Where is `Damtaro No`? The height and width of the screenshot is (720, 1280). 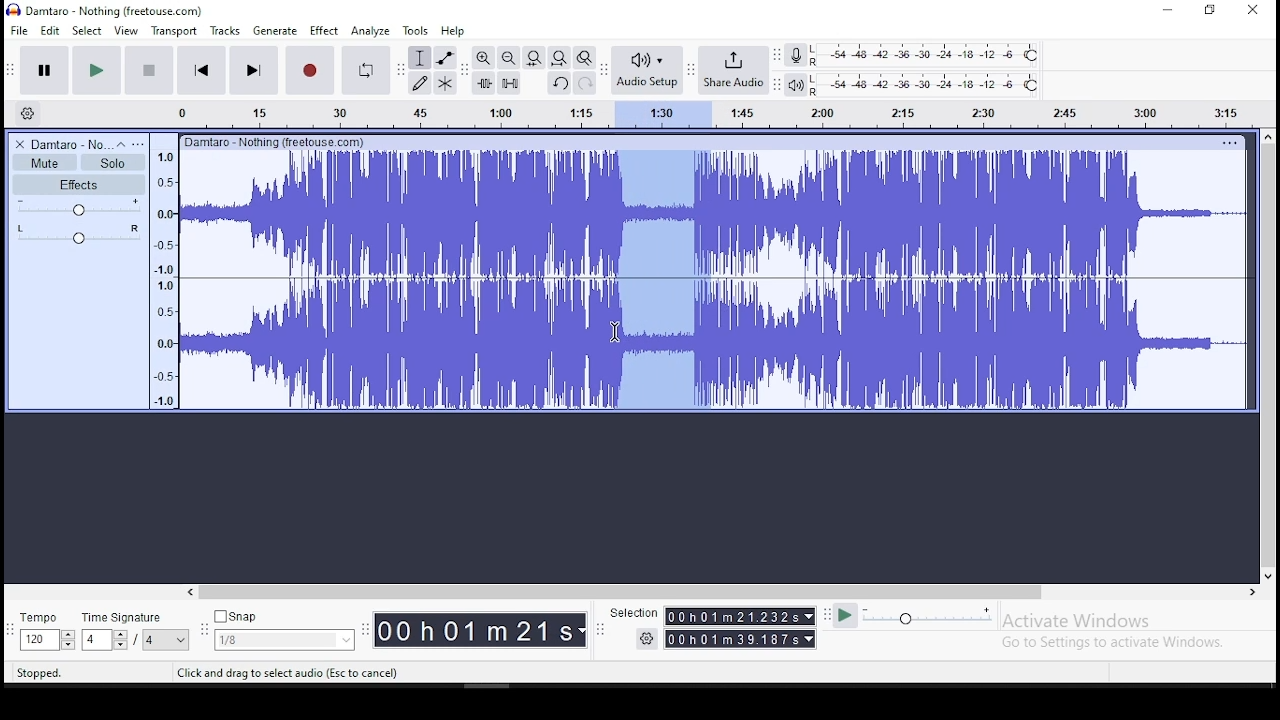
Damtaro No is located at coordinates (70, 144).